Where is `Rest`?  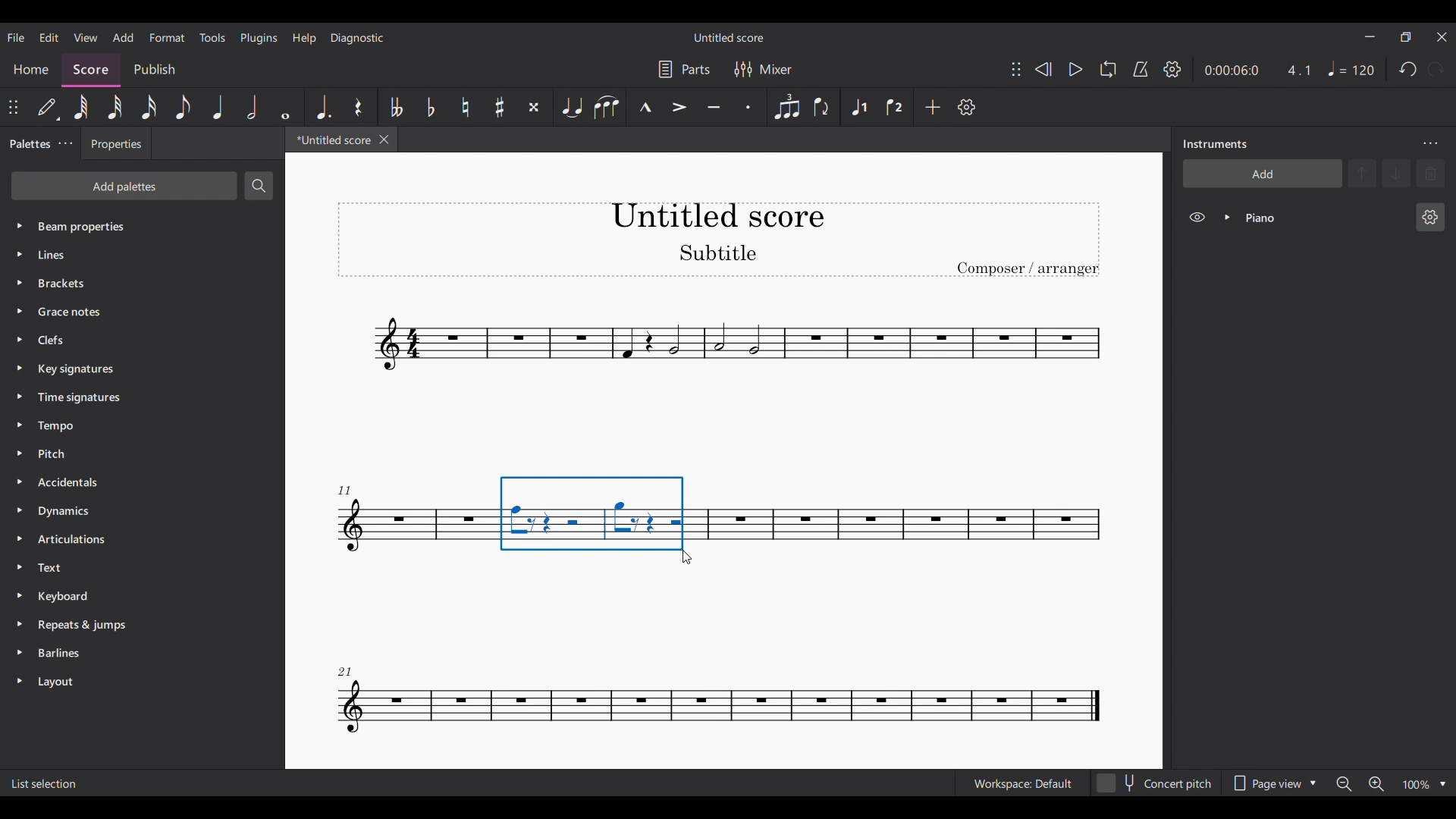
Rest is located at coordinates (358, 107).